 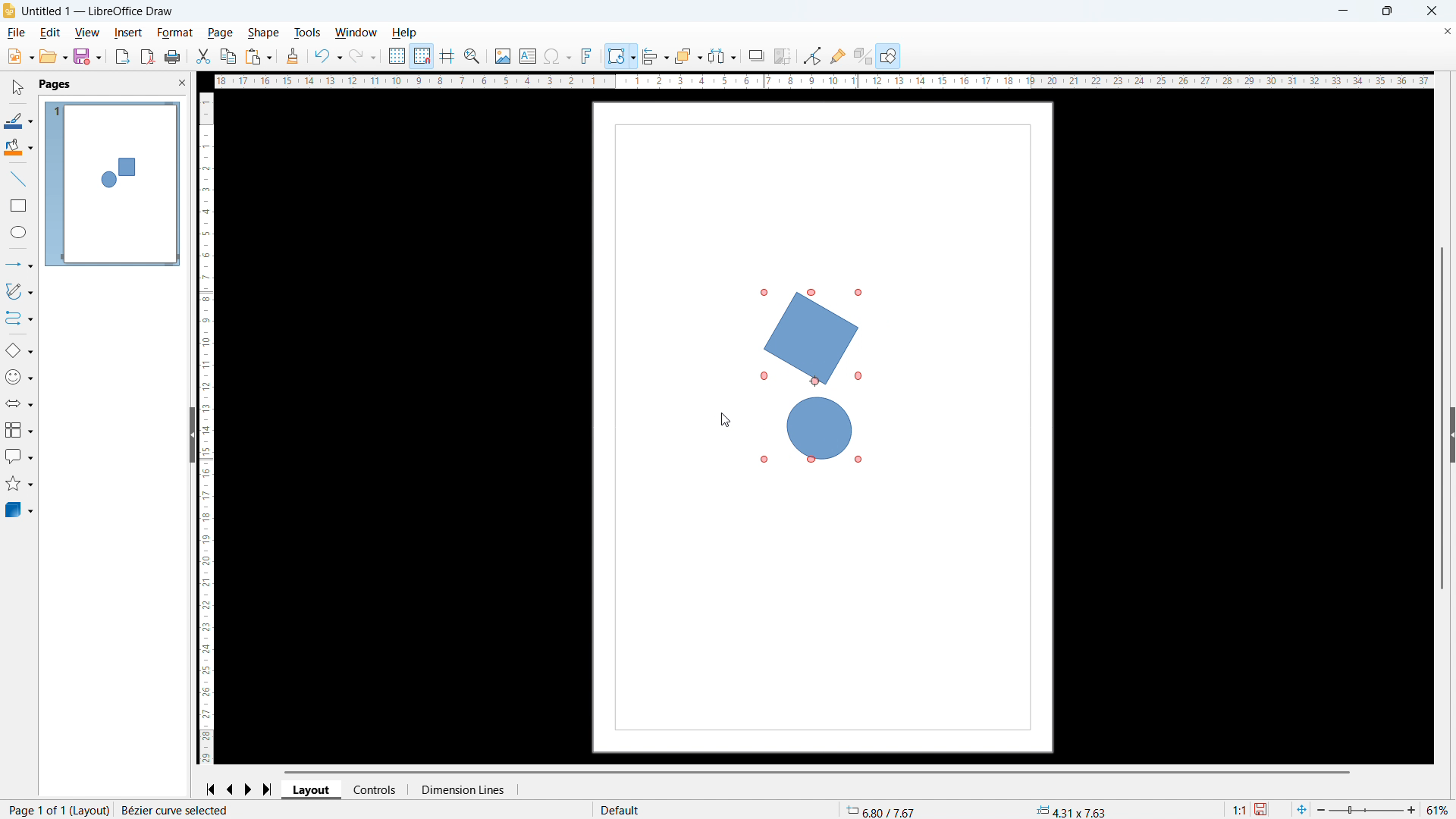 I want to click on View , so click(x=86, y=33).